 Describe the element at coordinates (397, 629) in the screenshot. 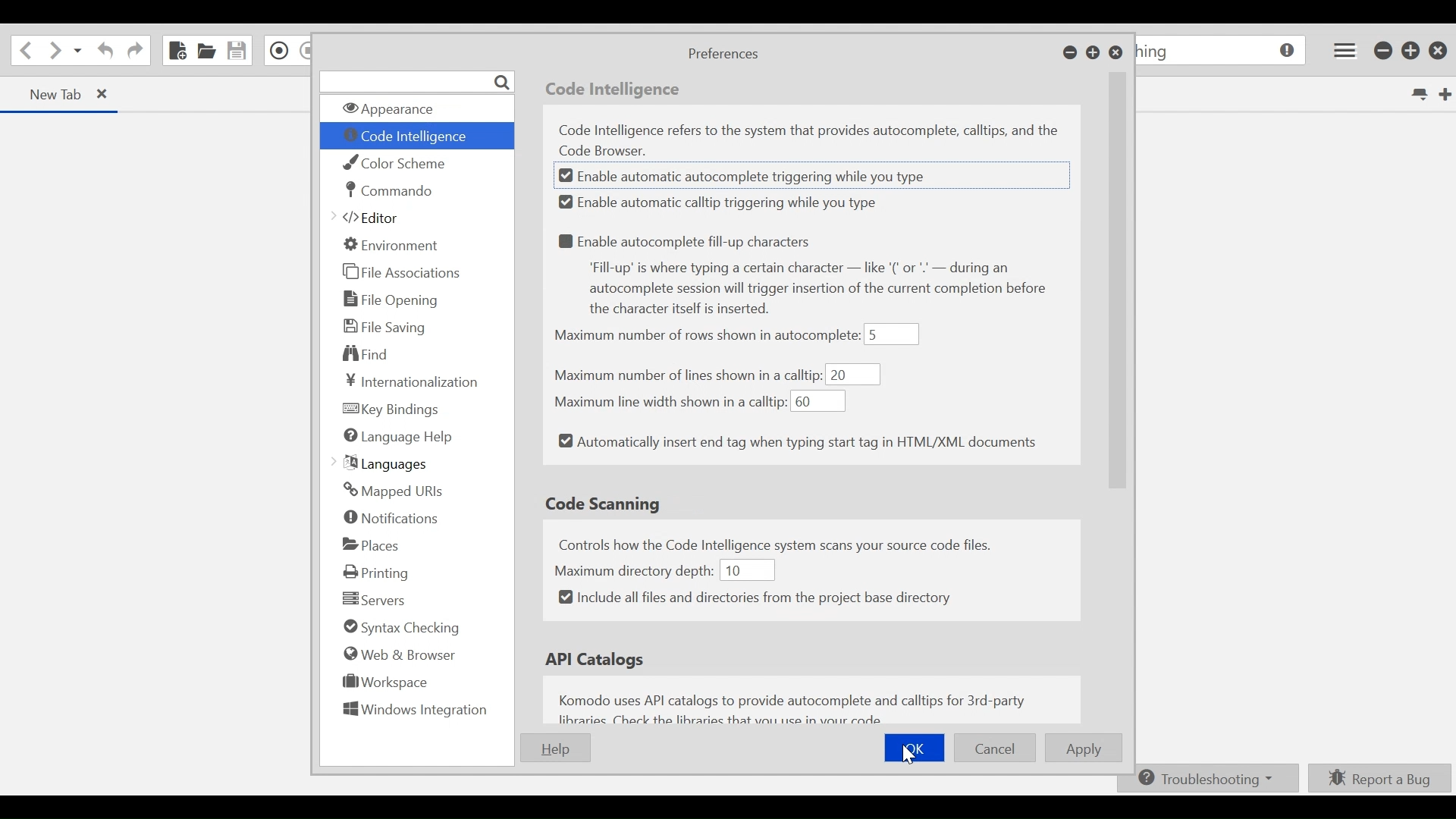

I see `Syntax Checking` at that location.